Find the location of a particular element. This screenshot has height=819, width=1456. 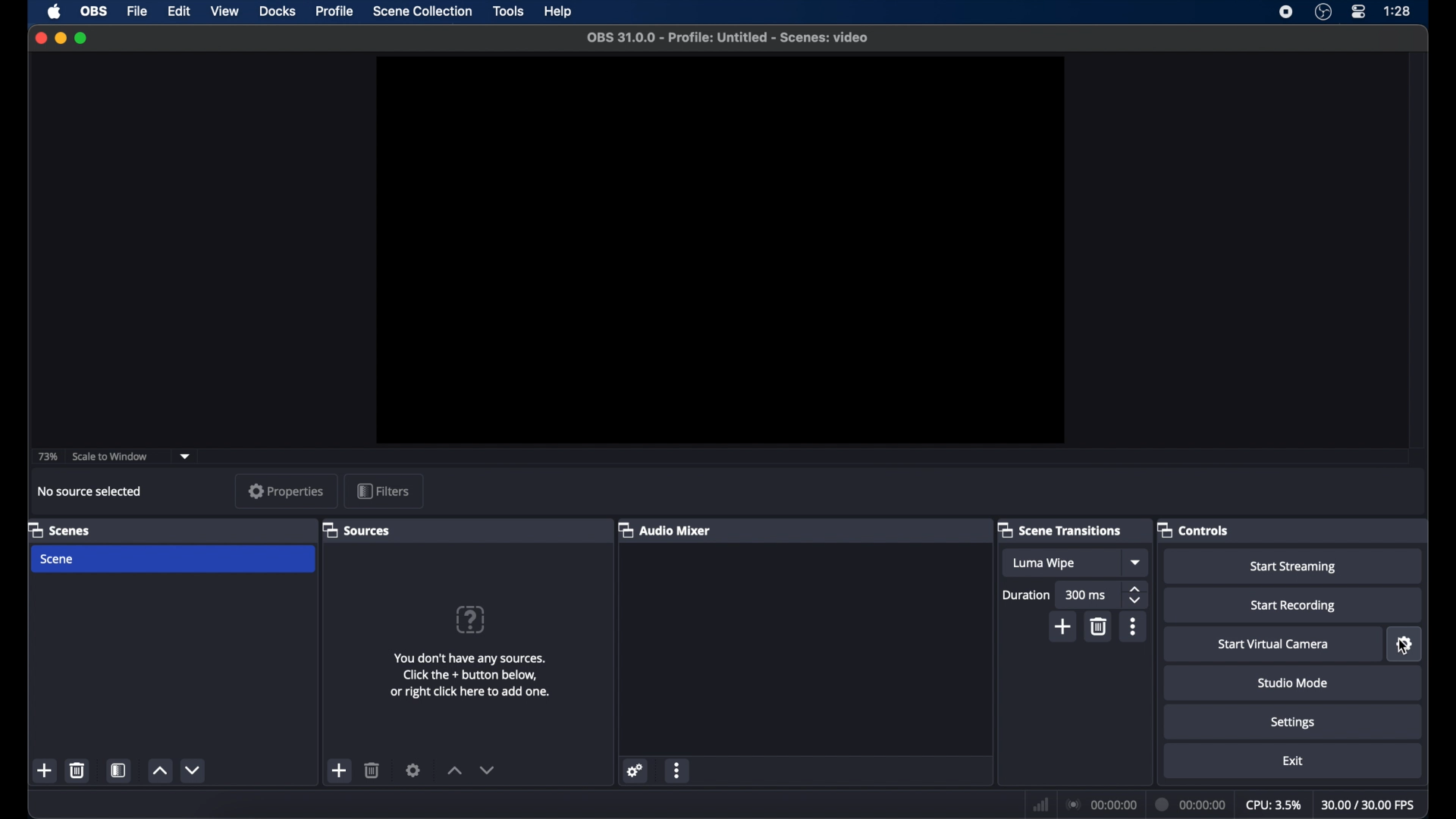

properties is located at coordinates (286, 491).